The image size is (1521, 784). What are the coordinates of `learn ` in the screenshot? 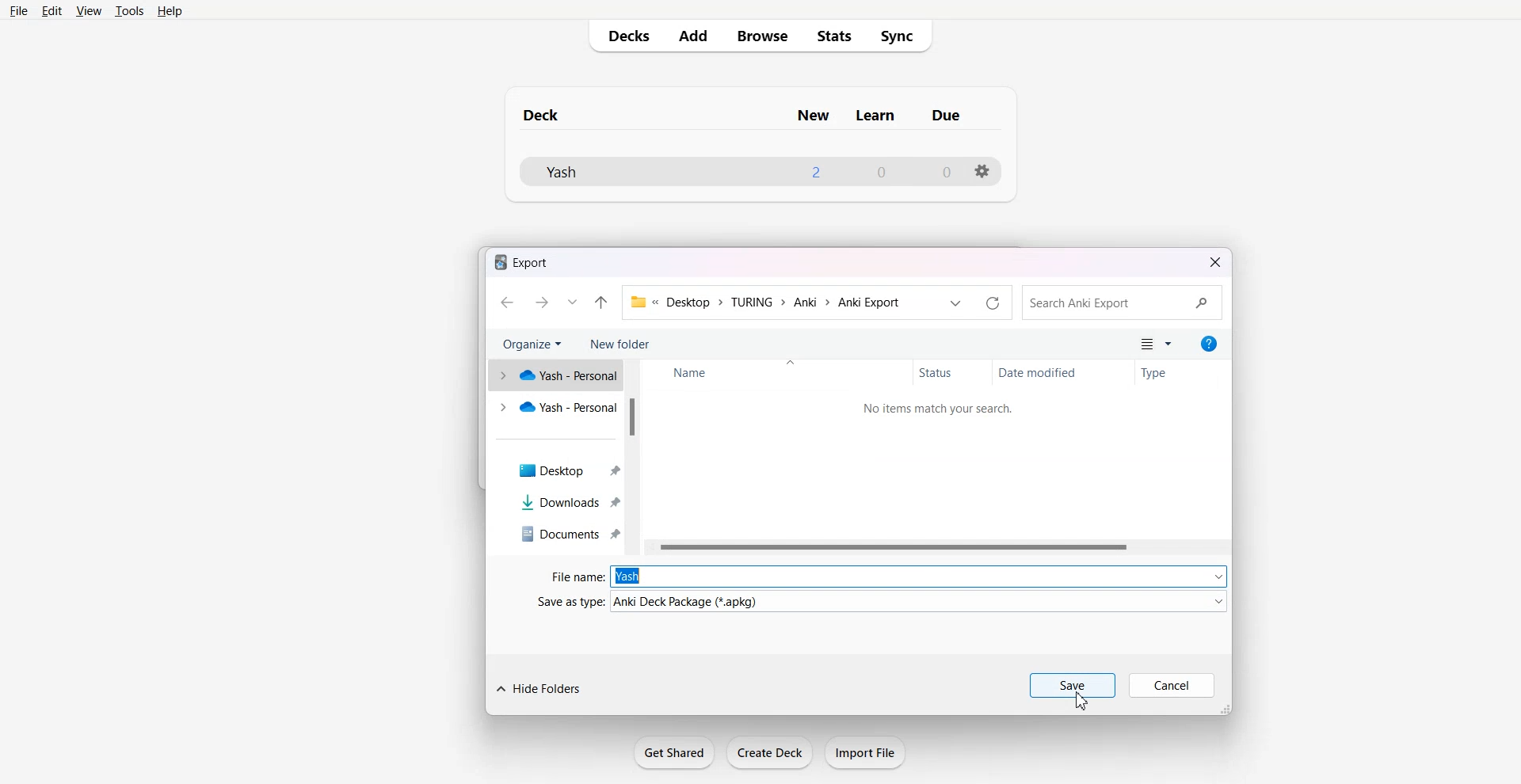 It's located at (877, 116).